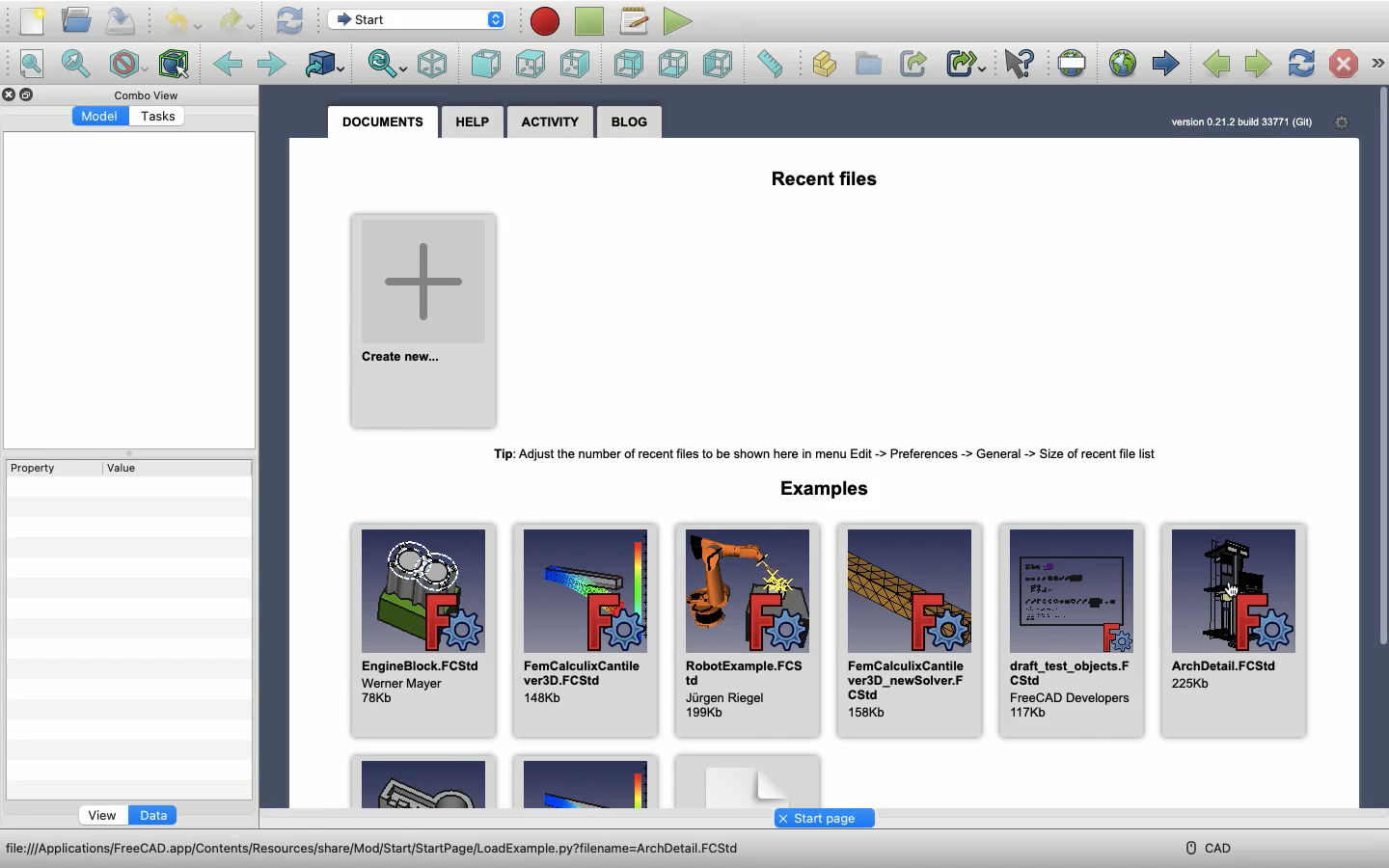 The width and height of the screenshot is (1389, 868). I want to click on Open start page preferences, so click(1340, 122).